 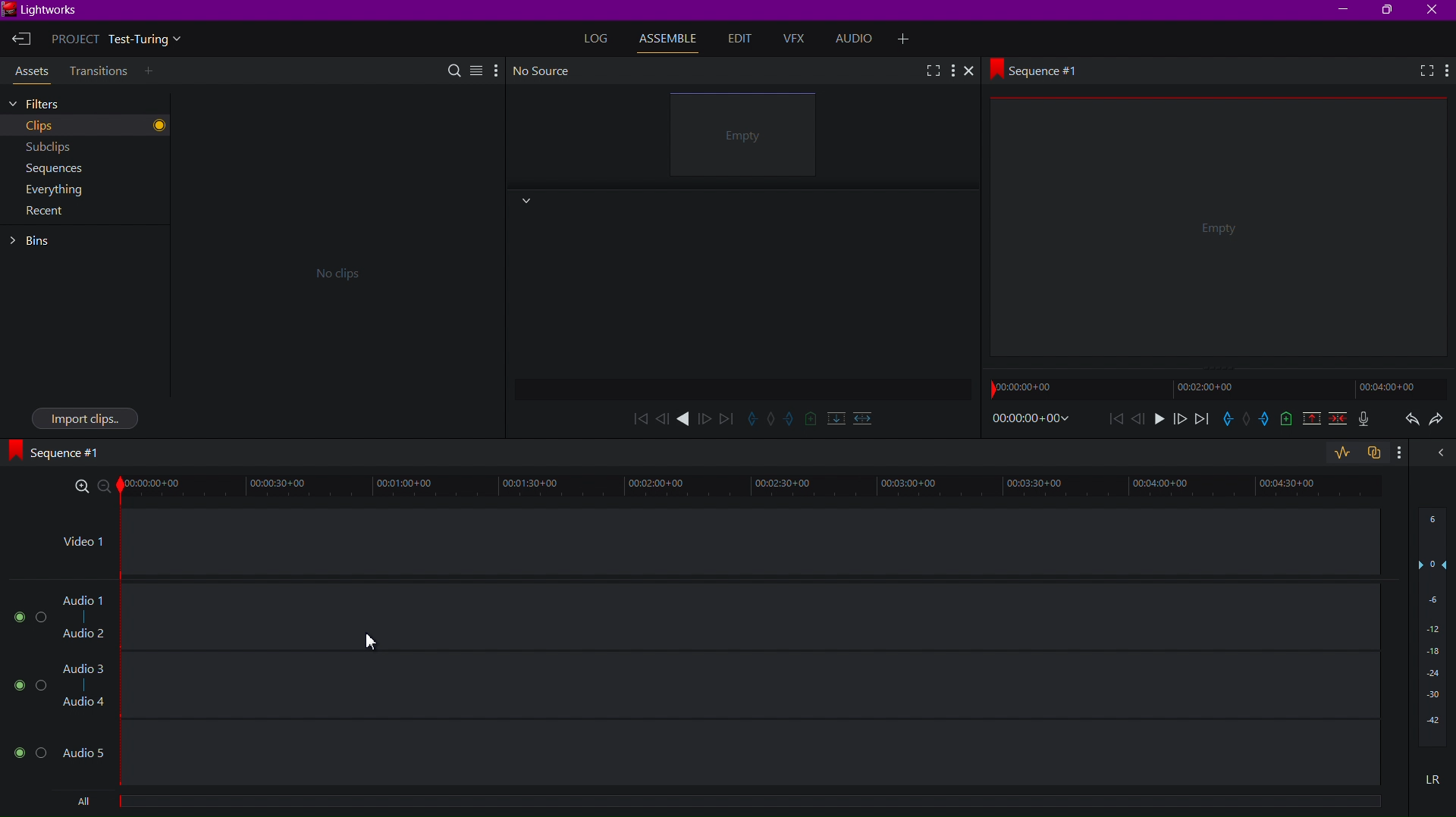 I want to click on Filters , so click(x=58, y=103).